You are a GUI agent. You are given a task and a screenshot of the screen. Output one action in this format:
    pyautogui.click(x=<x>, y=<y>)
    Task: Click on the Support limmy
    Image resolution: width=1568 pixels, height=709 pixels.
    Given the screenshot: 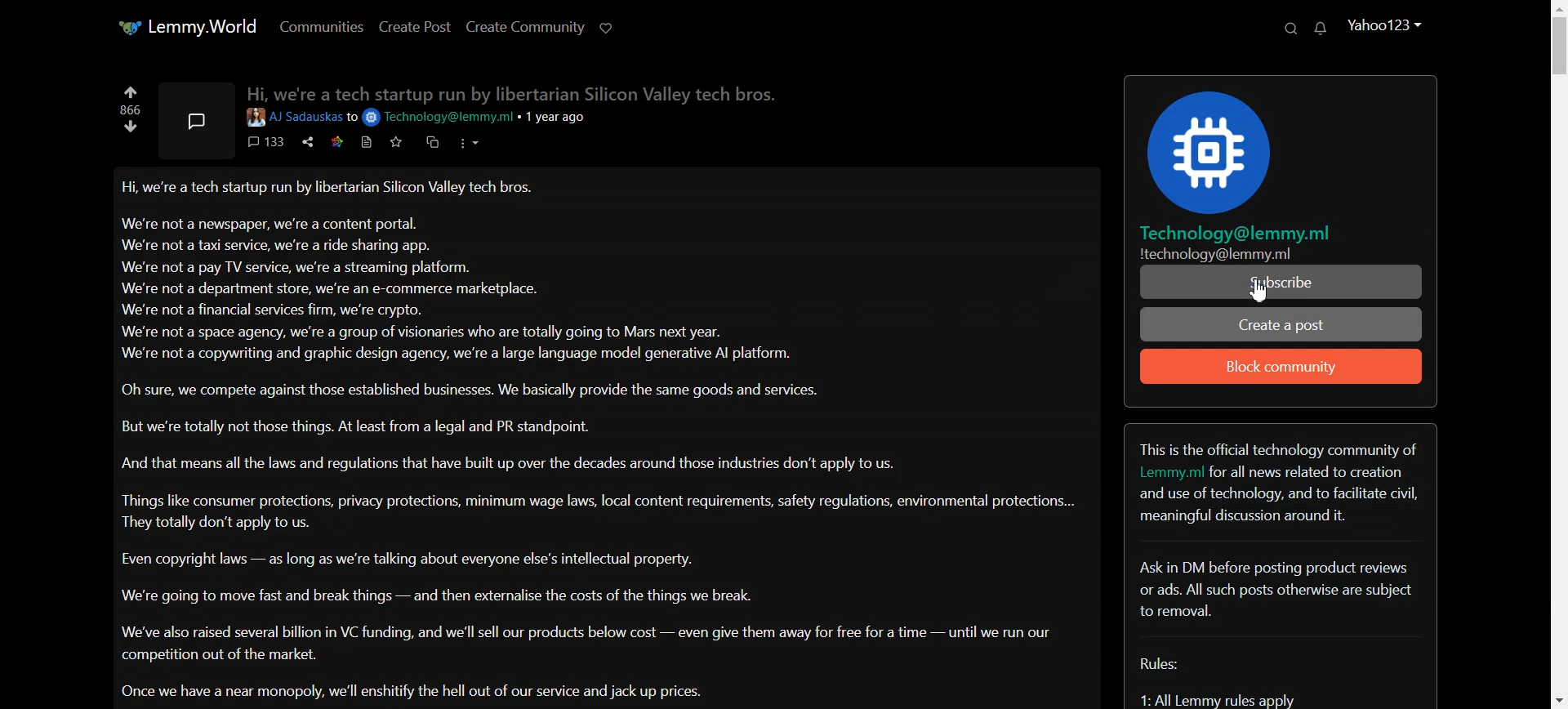 What is the action you would take?
    pyautogui.click(x=607, y=26)
    